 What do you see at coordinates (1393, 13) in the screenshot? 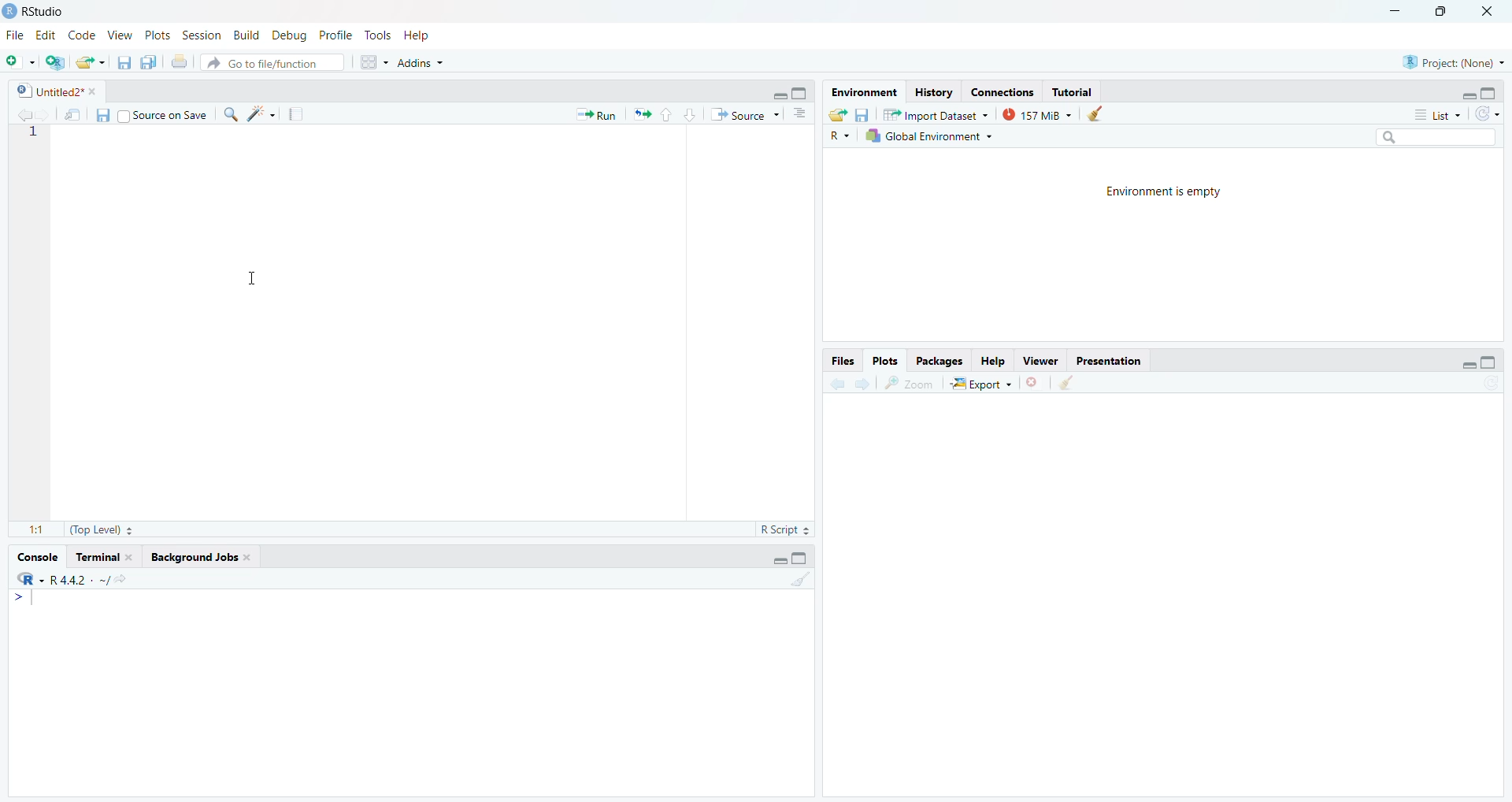
I see `minimize` at bounding box center [1393, 13].